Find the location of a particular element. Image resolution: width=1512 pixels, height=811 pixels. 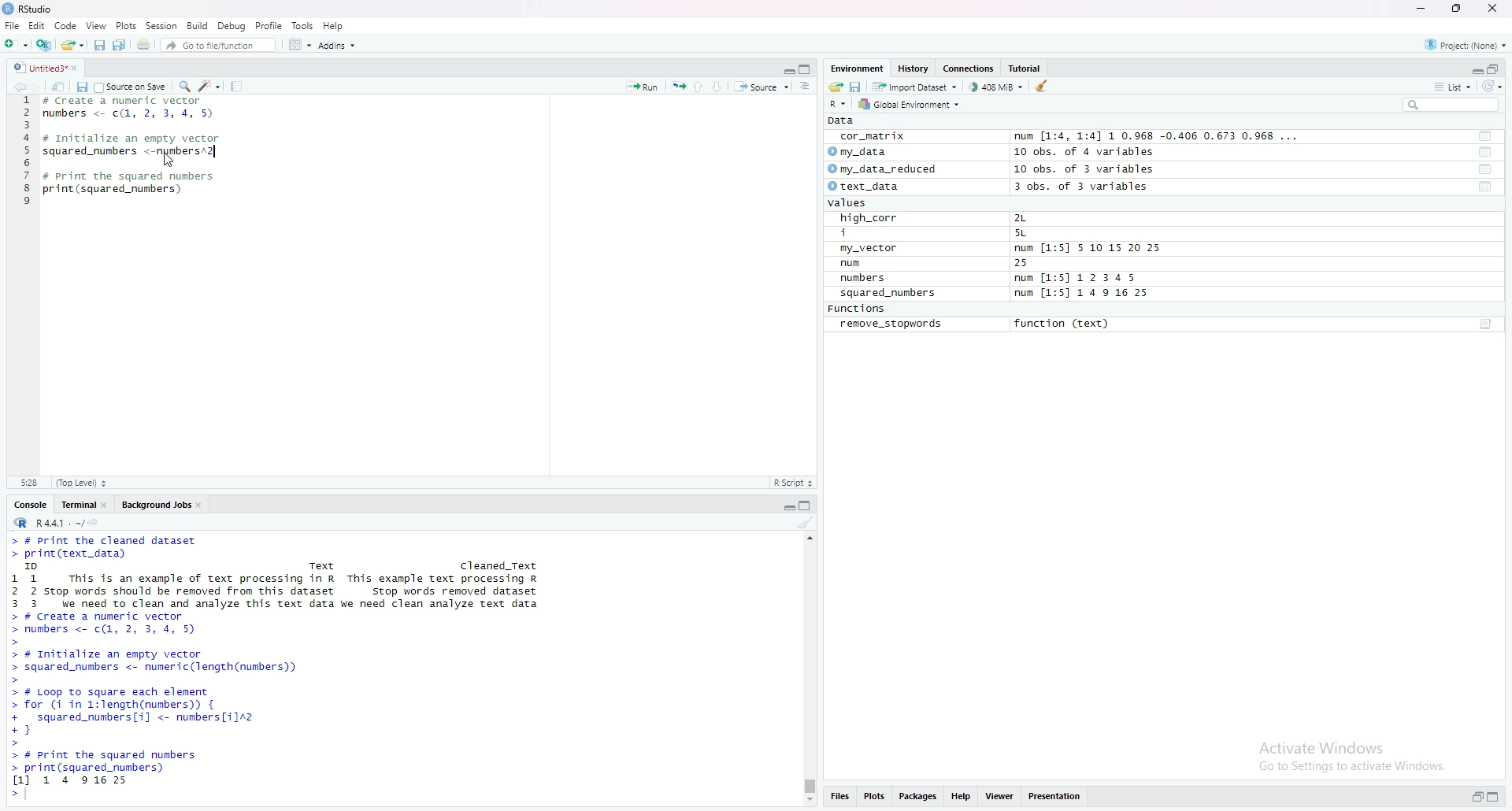

408 MiB is located at coordinates (995, 87).